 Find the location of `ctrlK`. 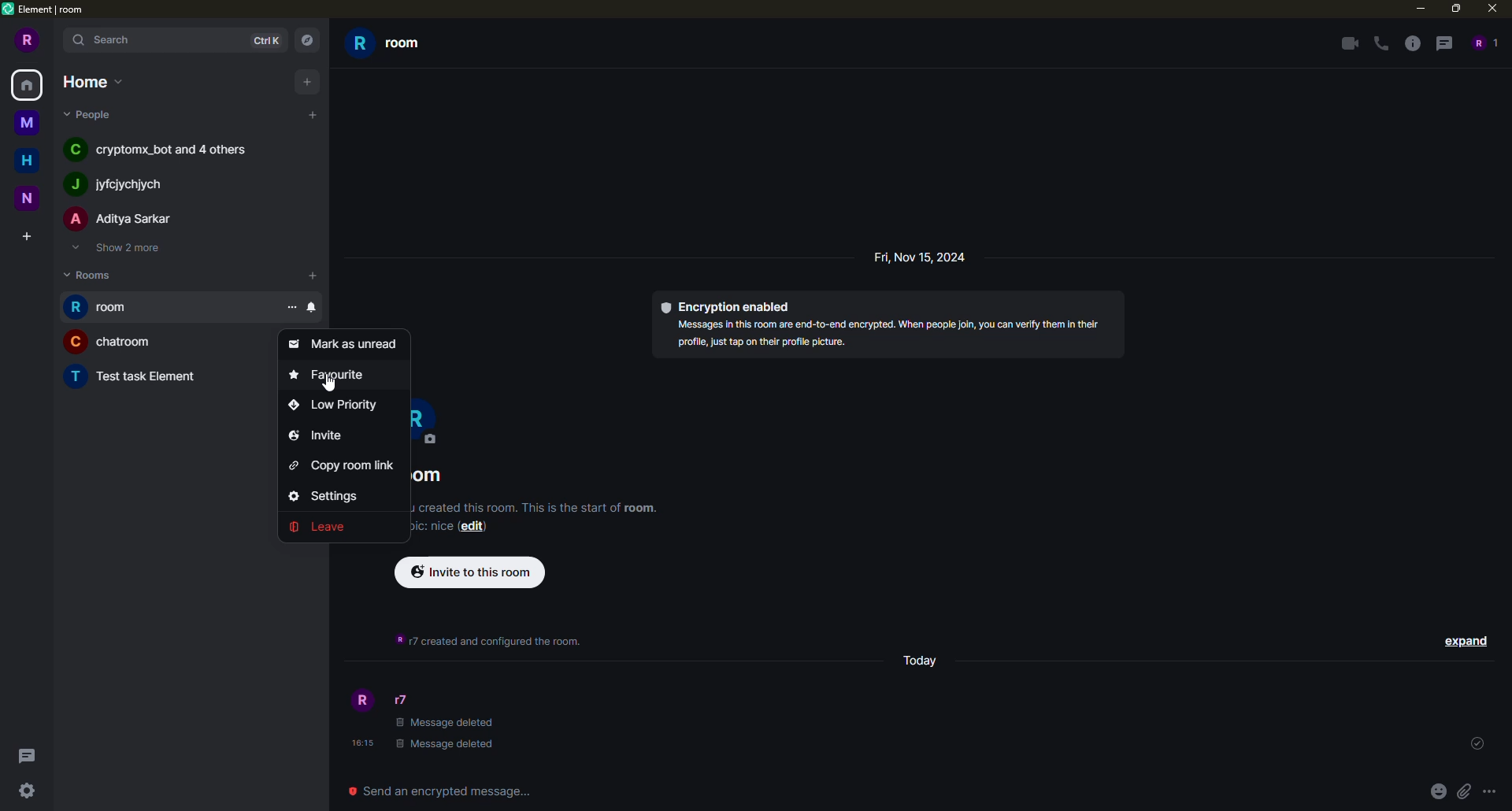

ctrlK is located at coordinates (266, 39).